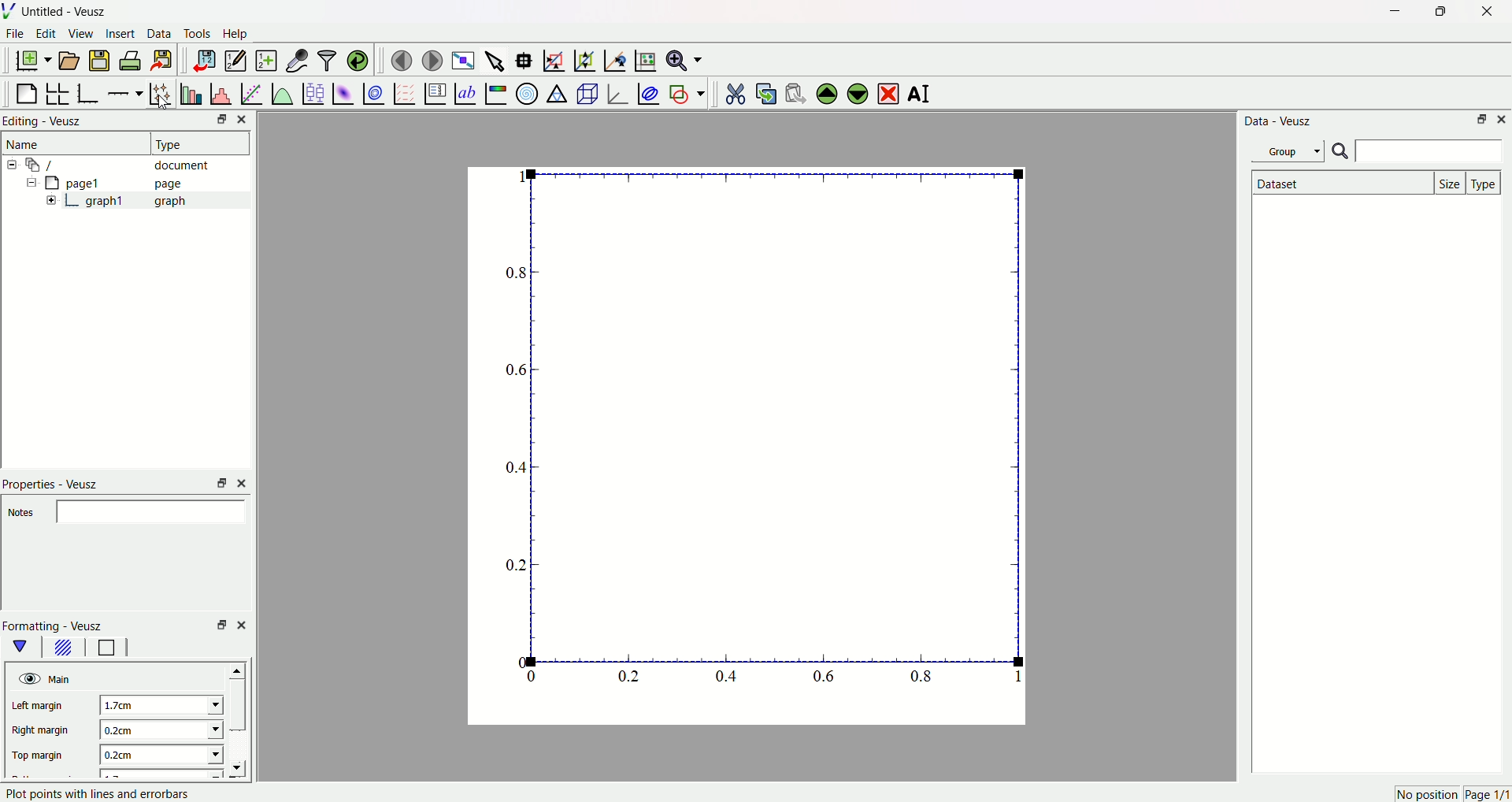 This screenshot has height=802, width=1512. What do you see at coordinates (736, 450) in the screenshot?
I see `page` at bounding box center [736, 450].